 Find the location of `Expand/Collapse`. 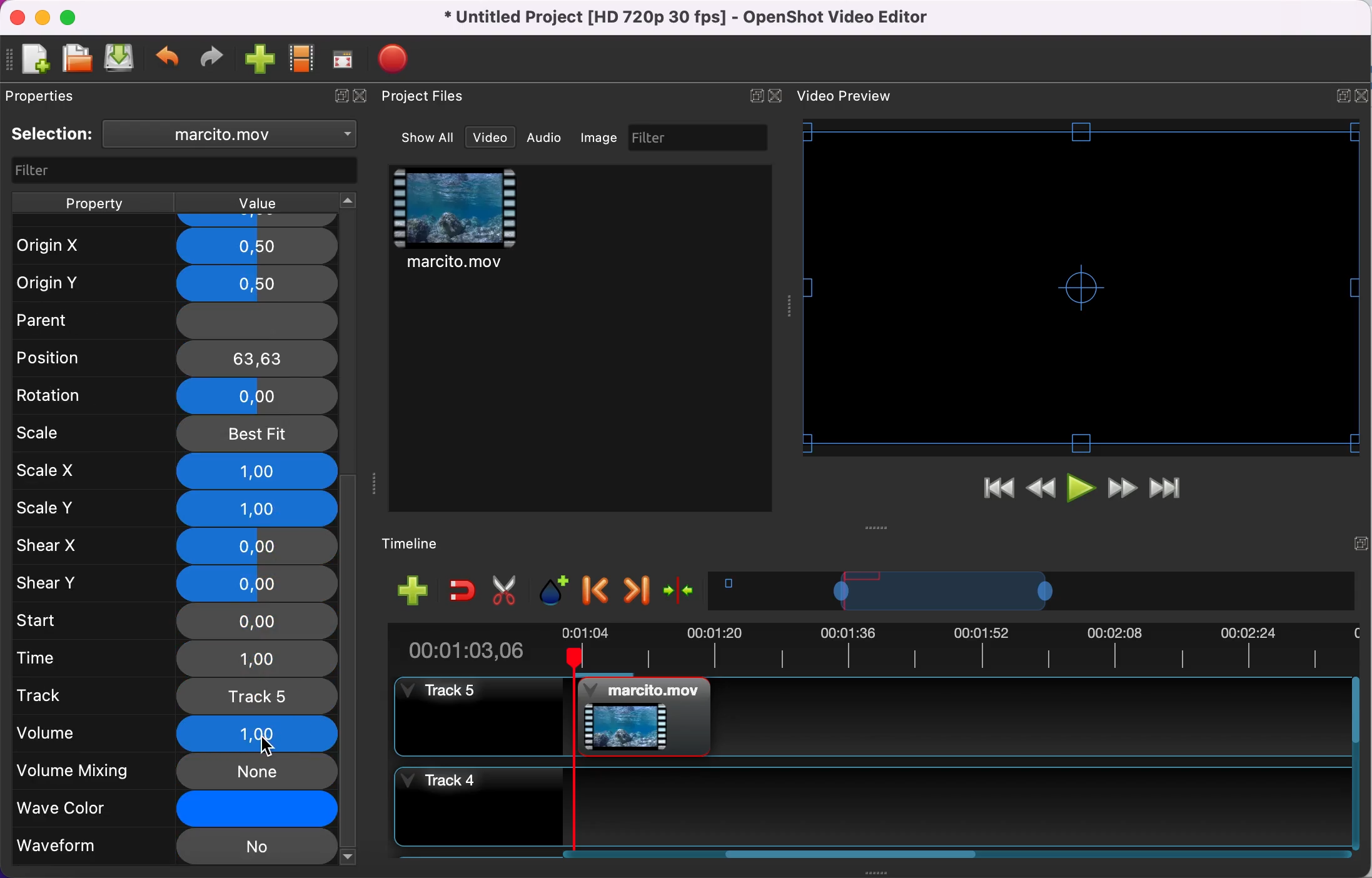

Expand/Collapse is located at coordinates (1361, 543).